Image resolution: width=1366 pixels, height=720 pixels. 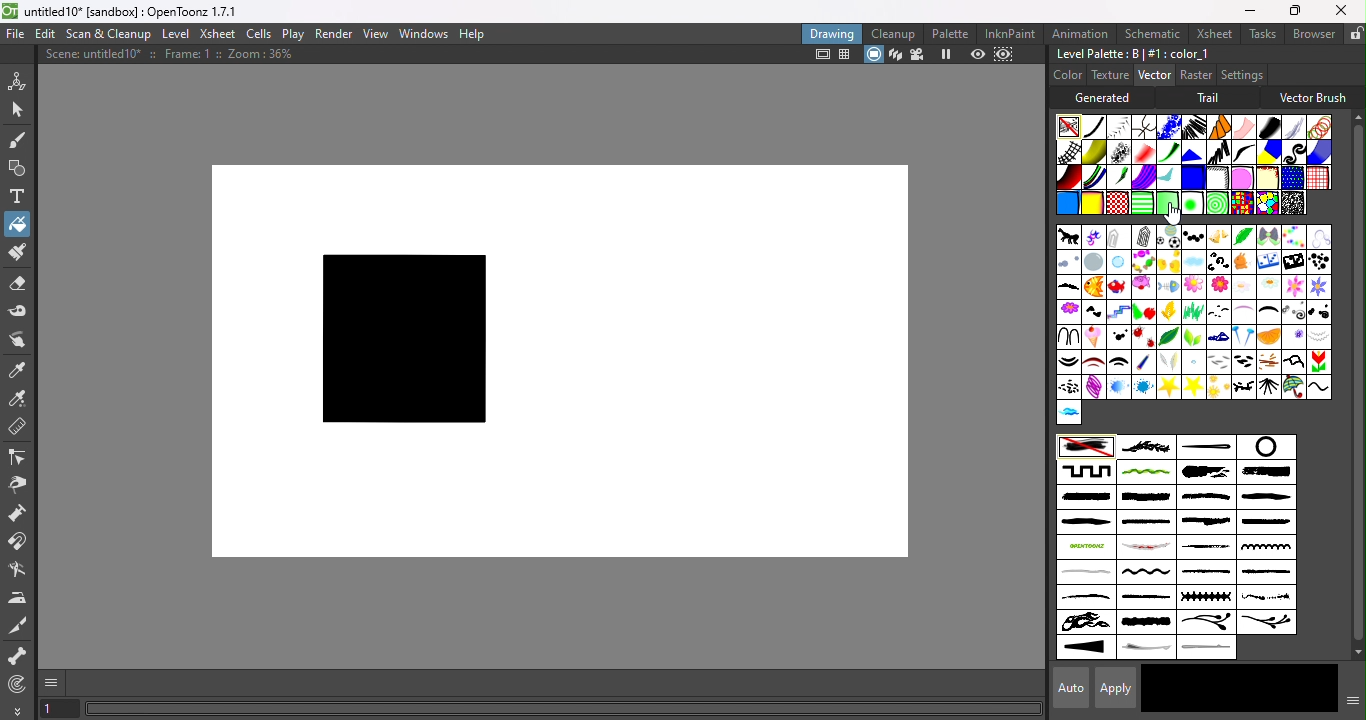 I want to click on Chalk, so click(x=1119, y=152).